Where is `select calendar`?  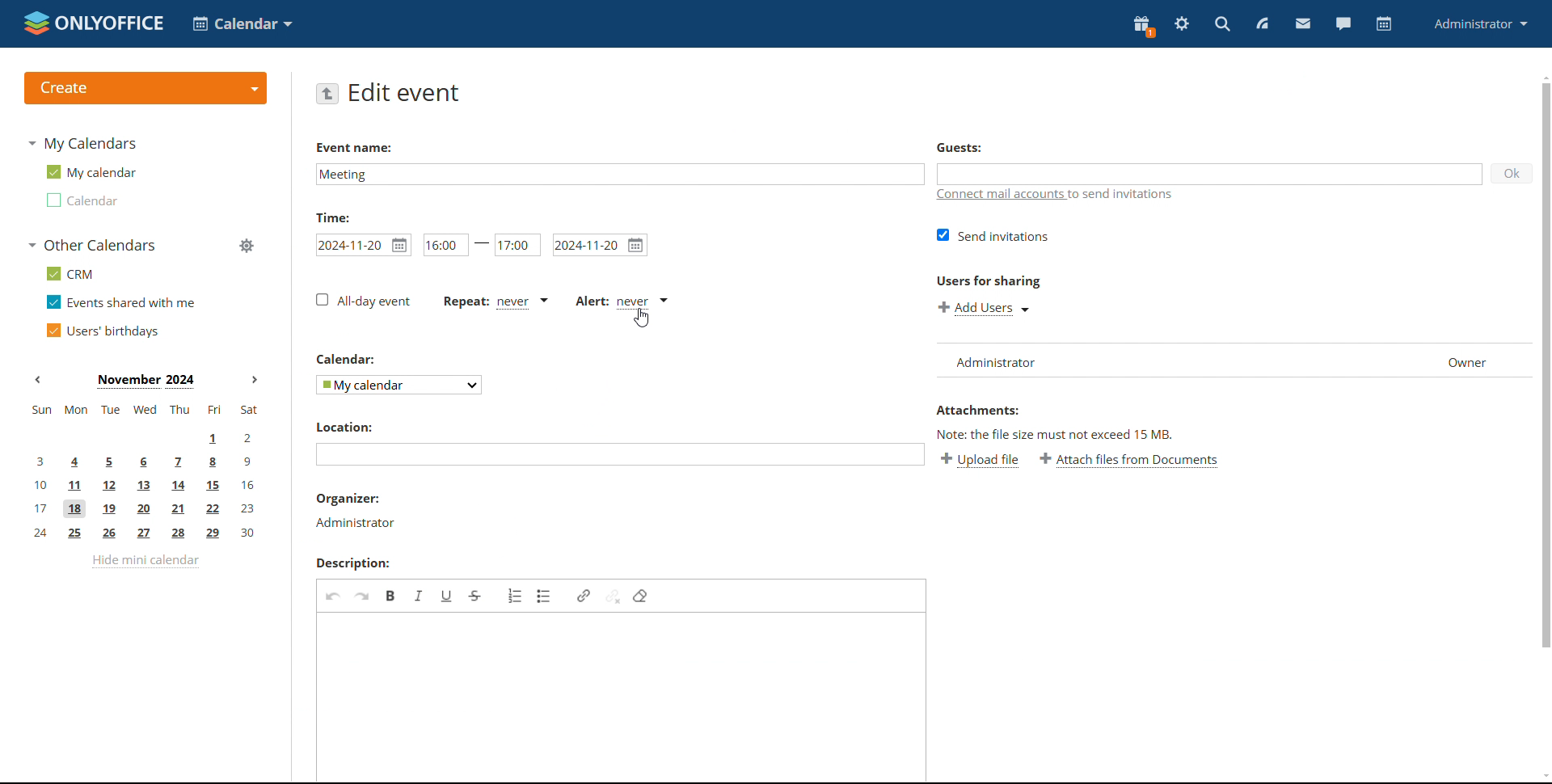
select calendar is located at coordinates (399, 385).